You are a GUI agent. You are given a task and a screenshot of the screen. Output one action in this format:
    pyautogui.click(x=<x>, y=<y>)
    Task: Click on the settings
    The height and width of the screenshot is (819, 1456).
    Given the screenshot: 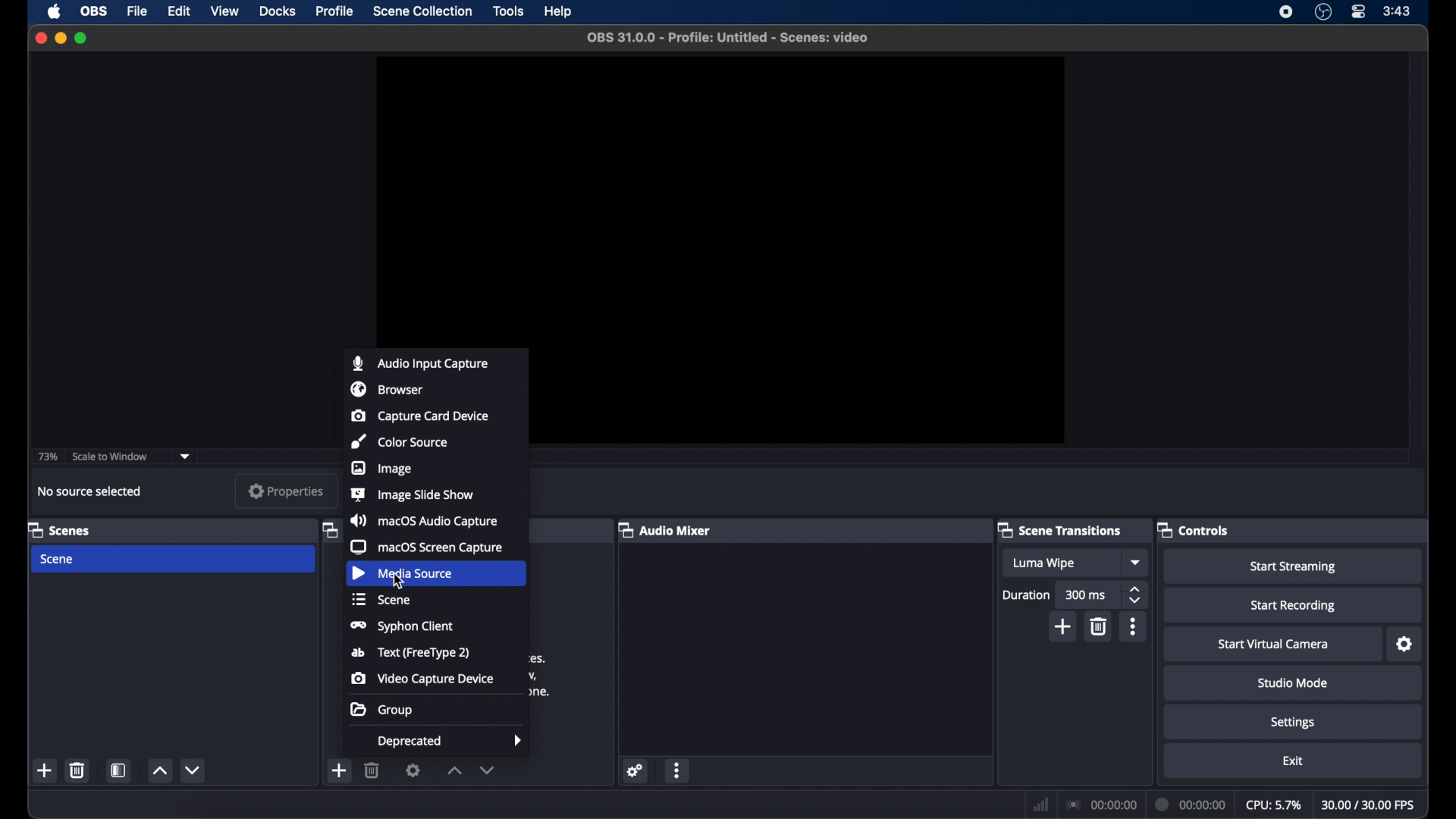 What is the action you would take?
    pyautogui.click(x=1294, y=723)
    